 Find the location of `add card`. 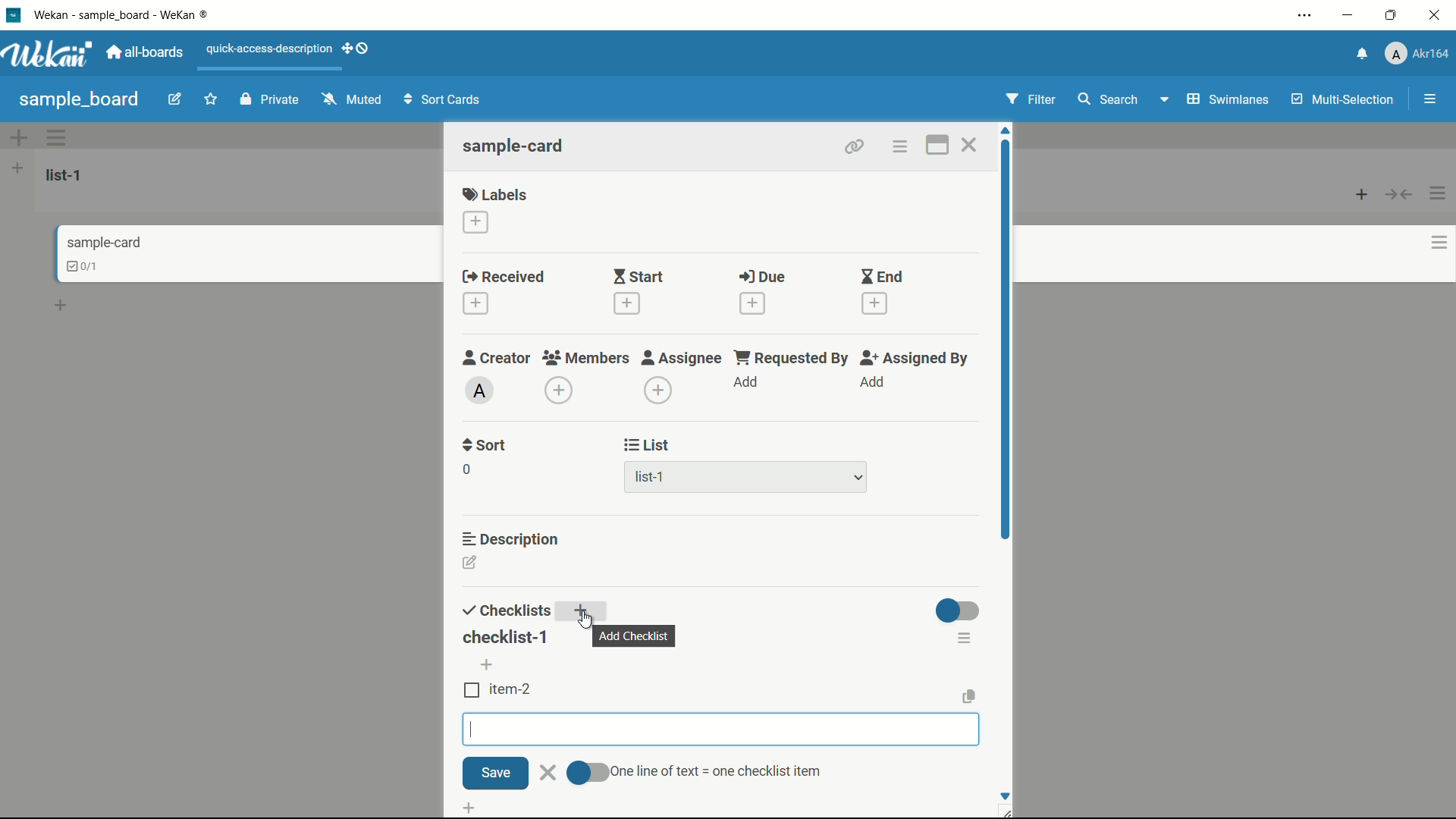

add card is located at coordinates (1362, 193).